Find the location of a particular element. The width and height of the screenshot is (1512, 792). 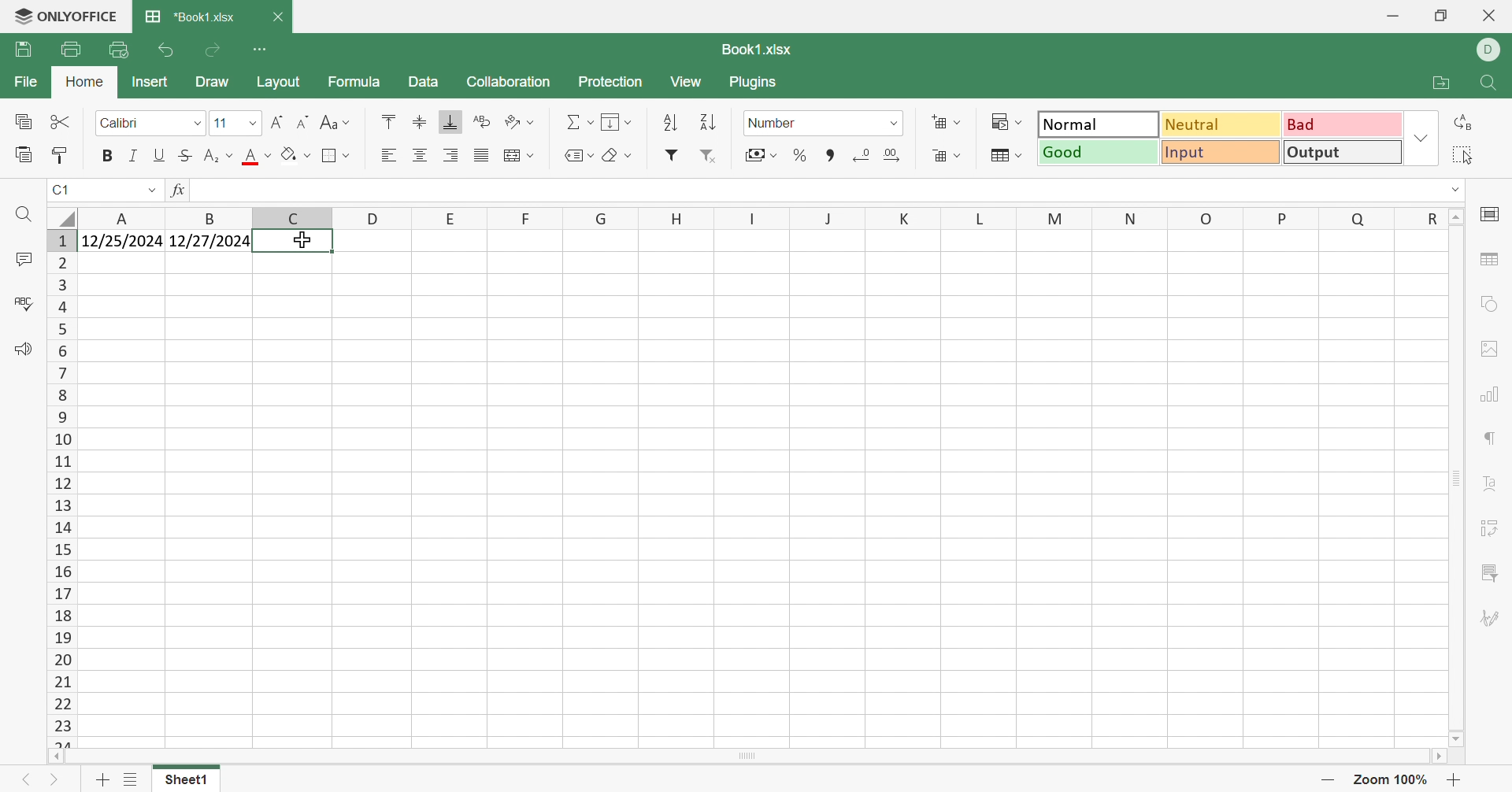

Strikethrough is located at coordinates (185, 155).